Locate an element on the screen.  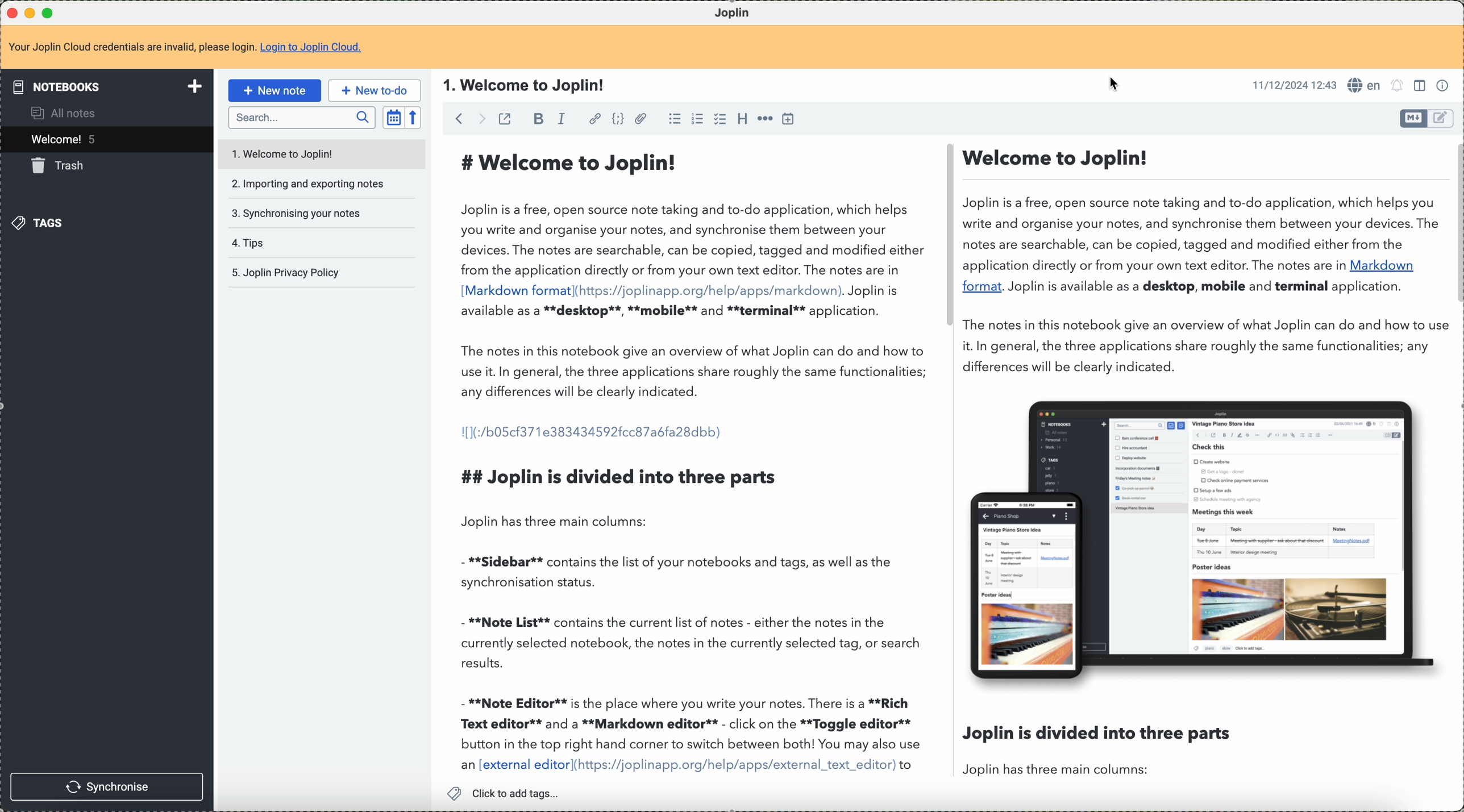
welcome to Joplin note is located at coordinates (319, 152).